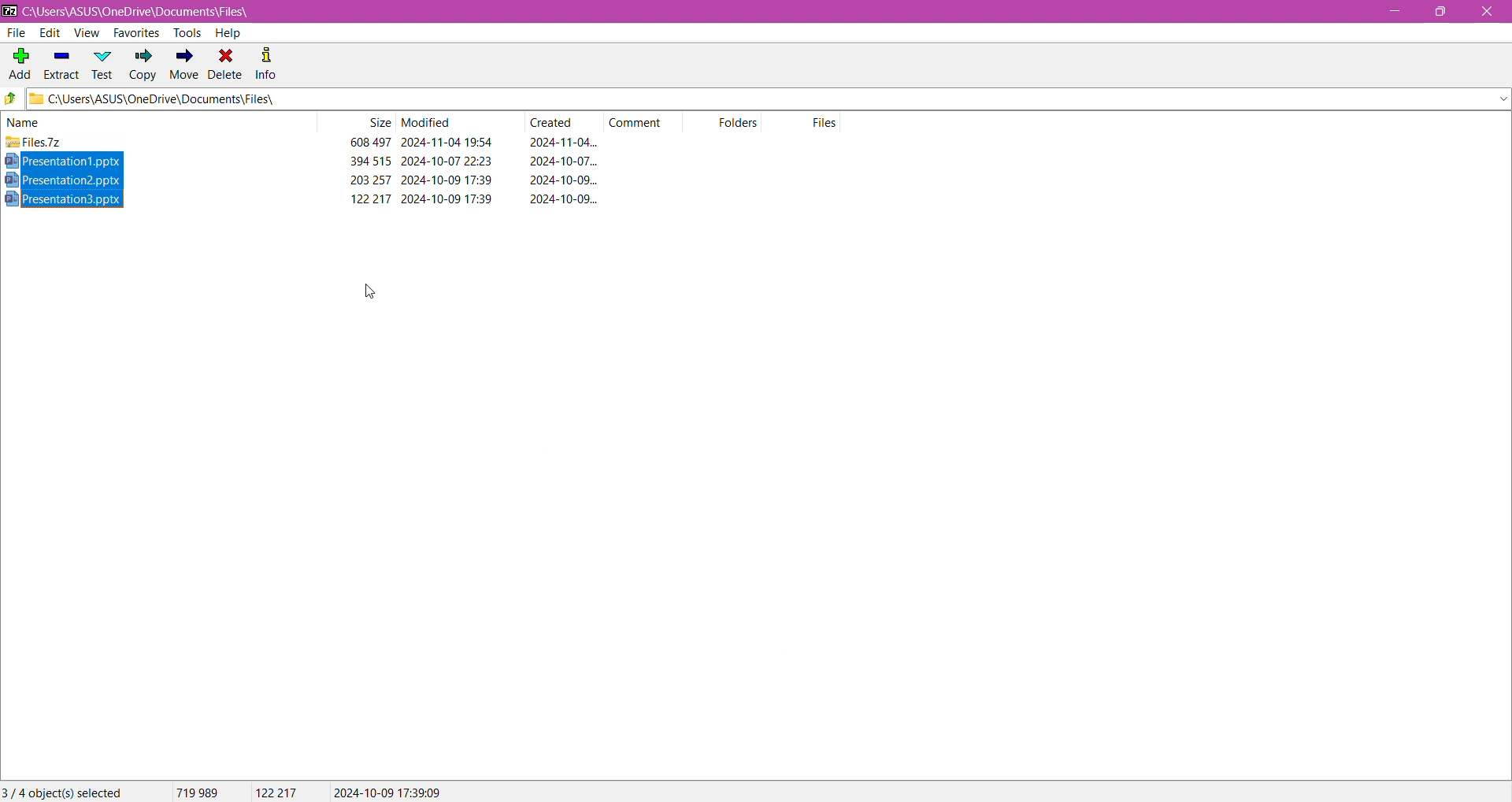 This screenshot has width=1512, height=802. Describe the element at coordinates (279, 793) in the screenshot. I see `122217` at that location.